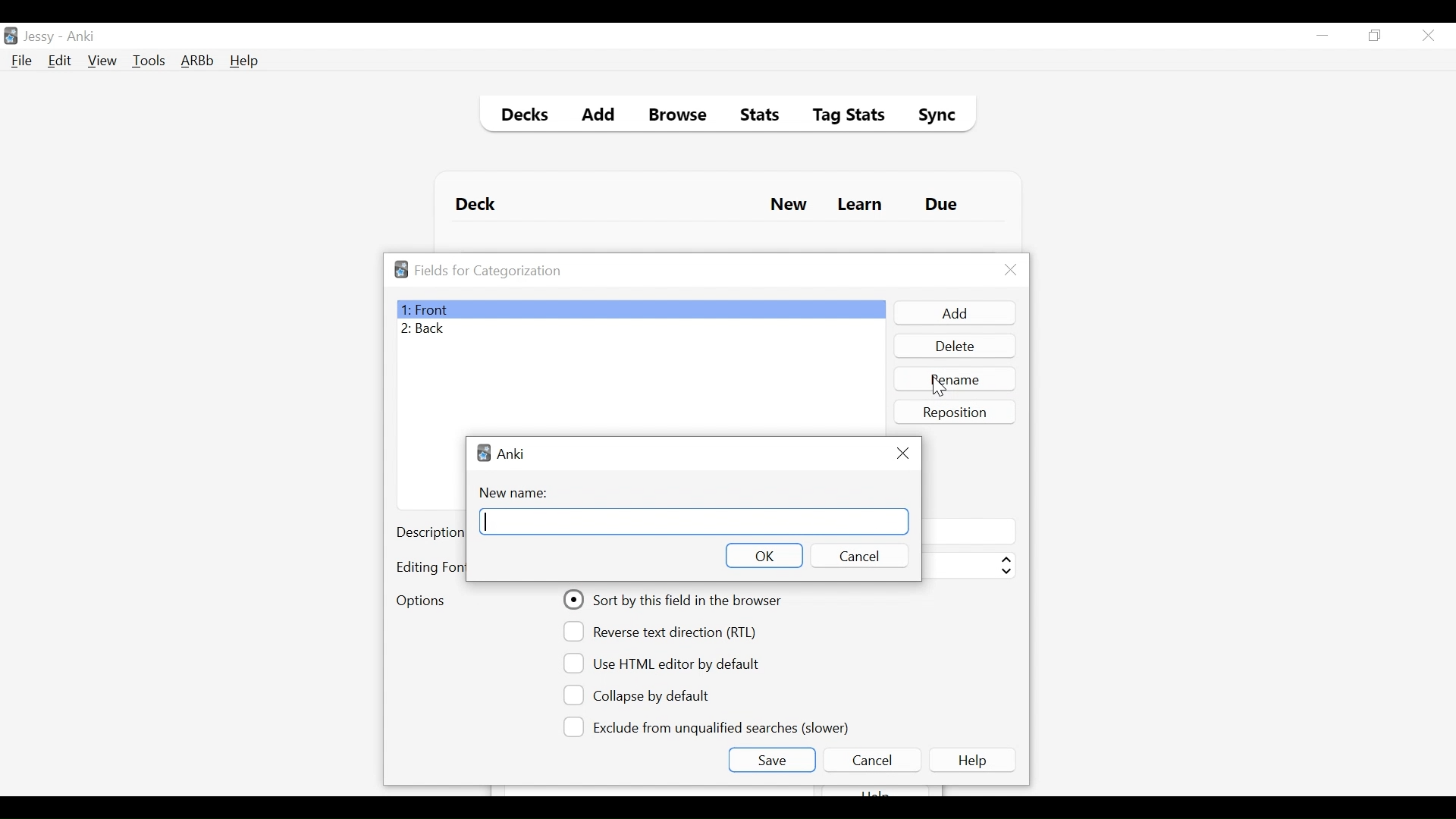 The image size is (1456, 819). What do you see at coordinates (512, 453) in the screenshot?
I see `Anki` at bounding box center [512, 453].